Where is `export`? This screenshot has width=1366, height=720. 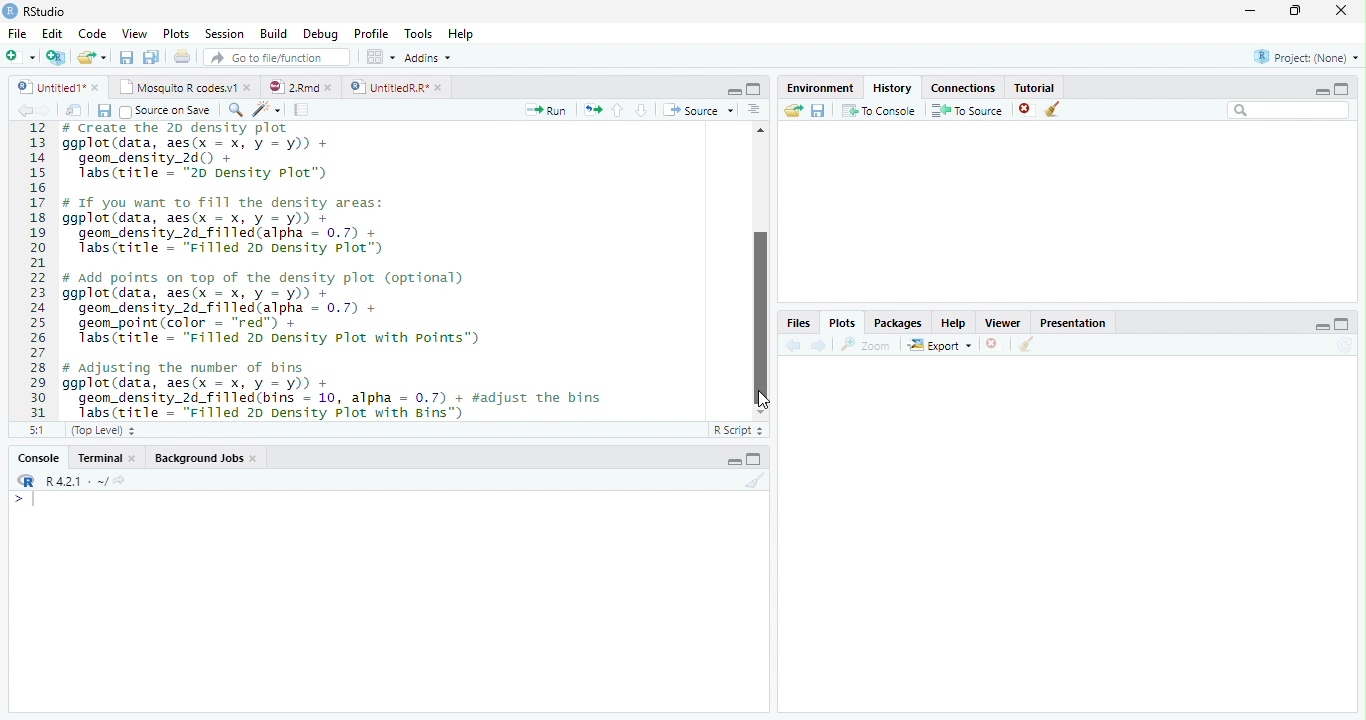 export is located at coordinates (939, 346).